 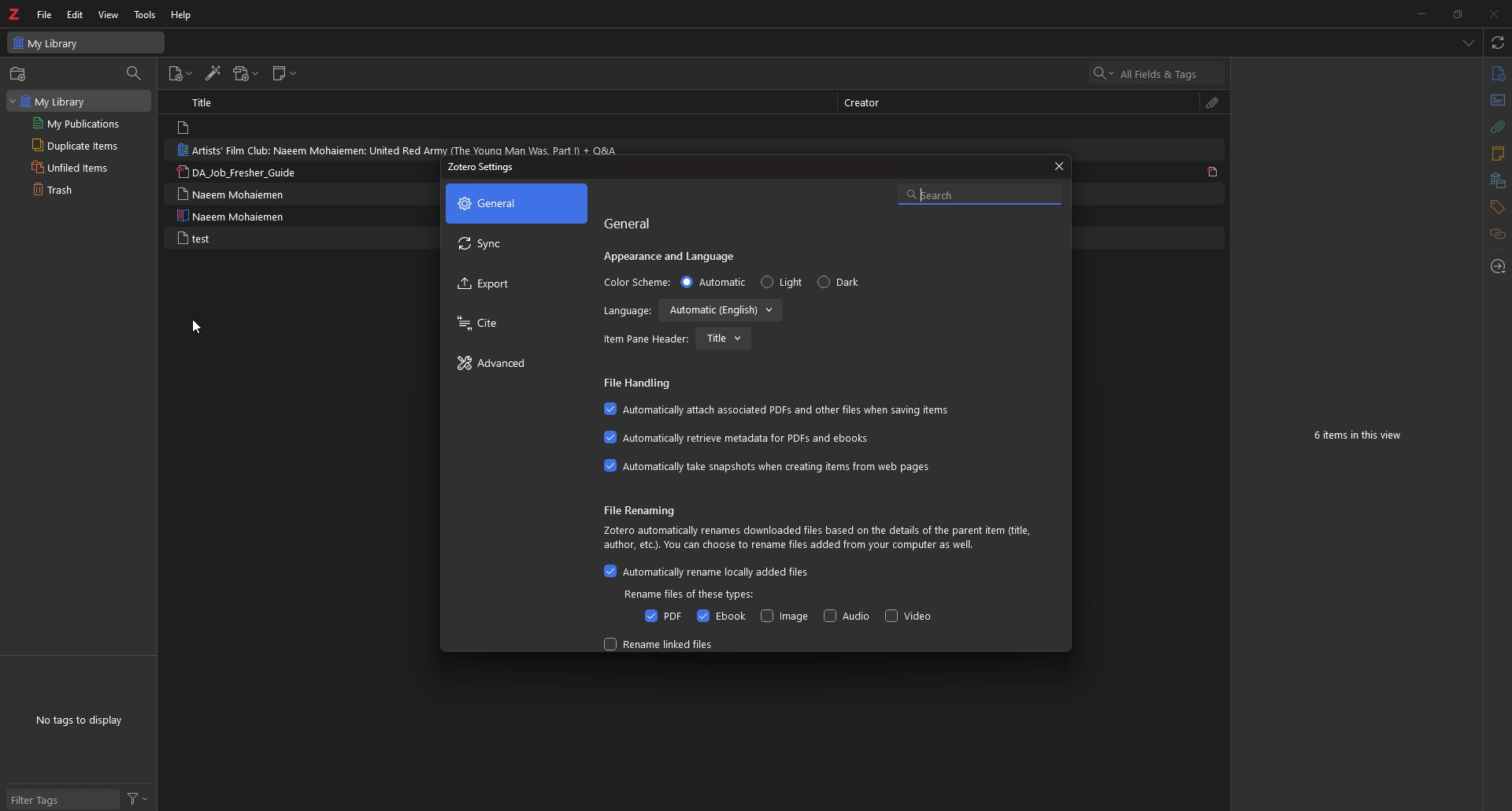 I want to click on automatically attach associated pdf and other files while saving items, so click(x=780, y=409).